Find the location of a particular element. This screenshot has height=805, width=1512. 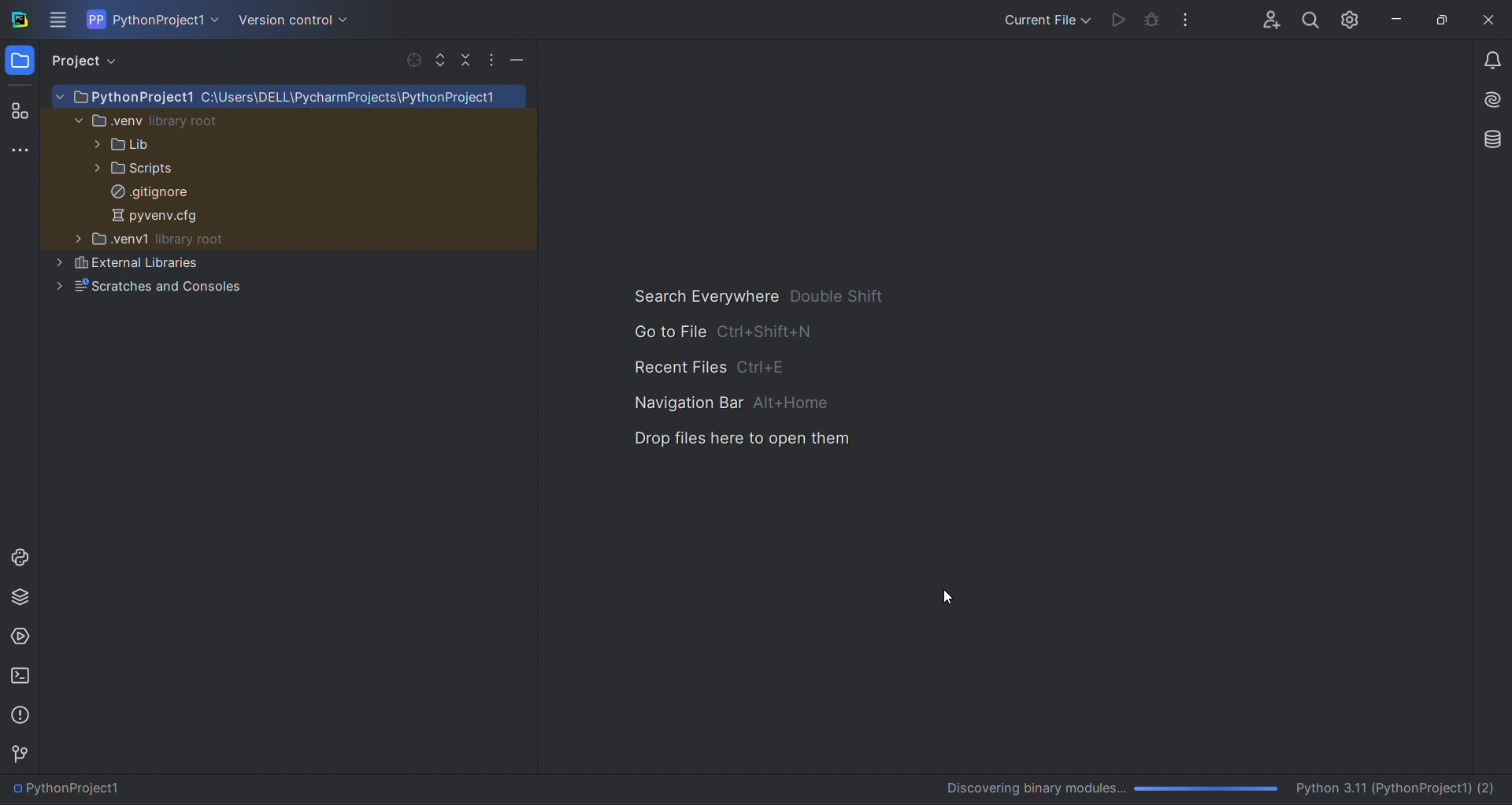

current project is located at coordinates (154, 19).